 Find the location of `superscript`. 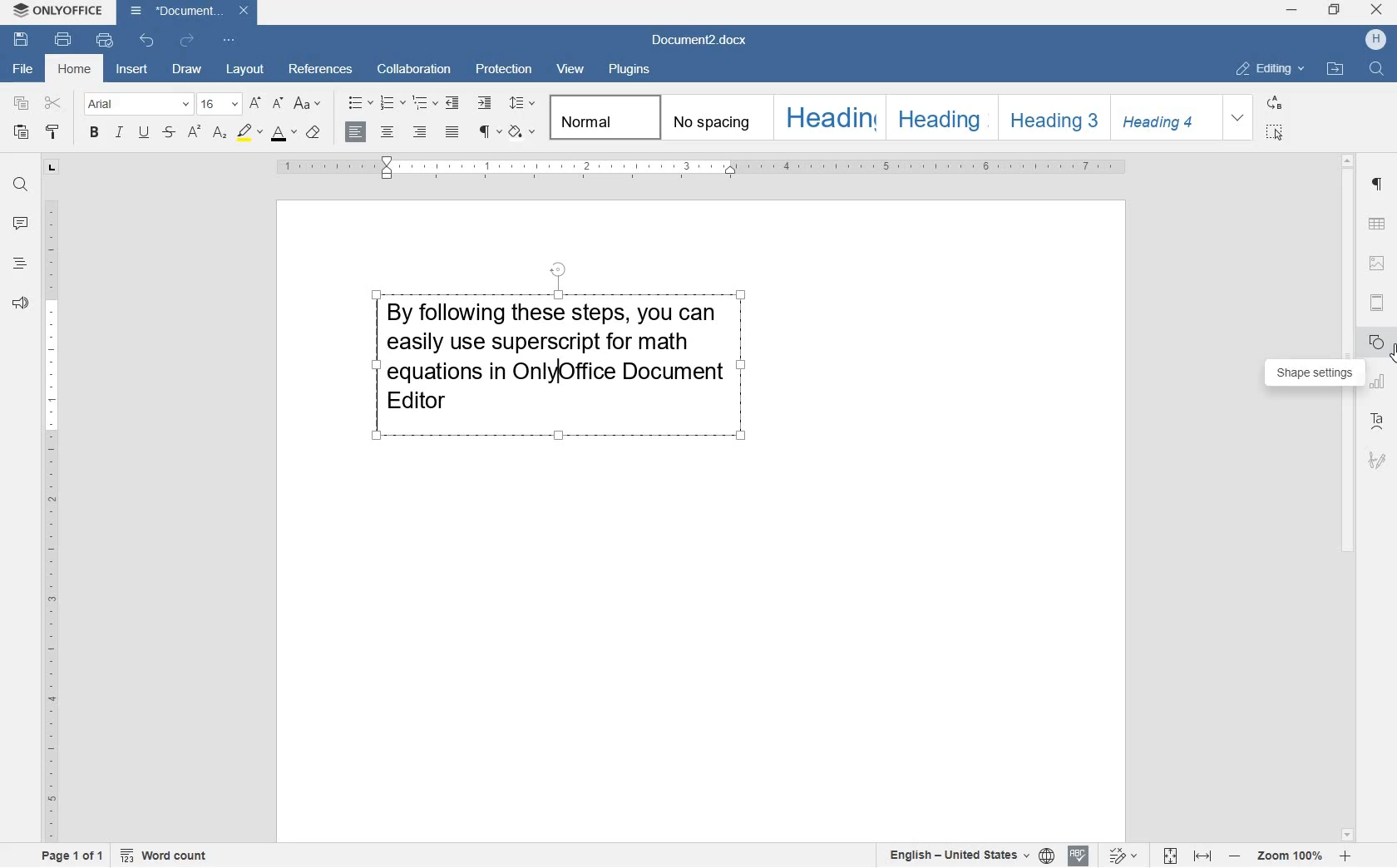

superscript is located at coordinates (194, 133).